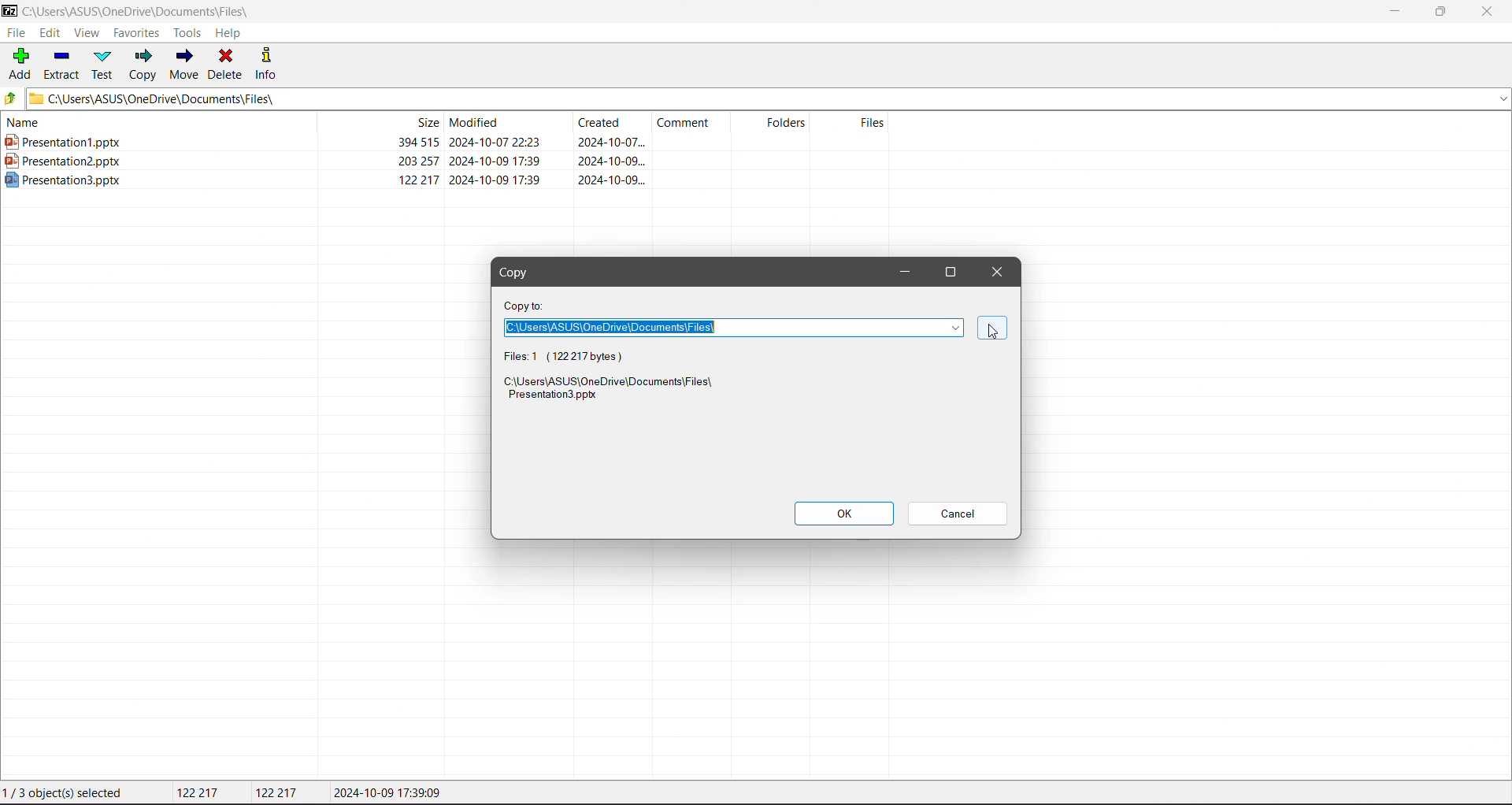 This screenshot has width=1512, height=805. Describe the element at coordinates (185, 65) in the screenshot. I see `Move` at that location.